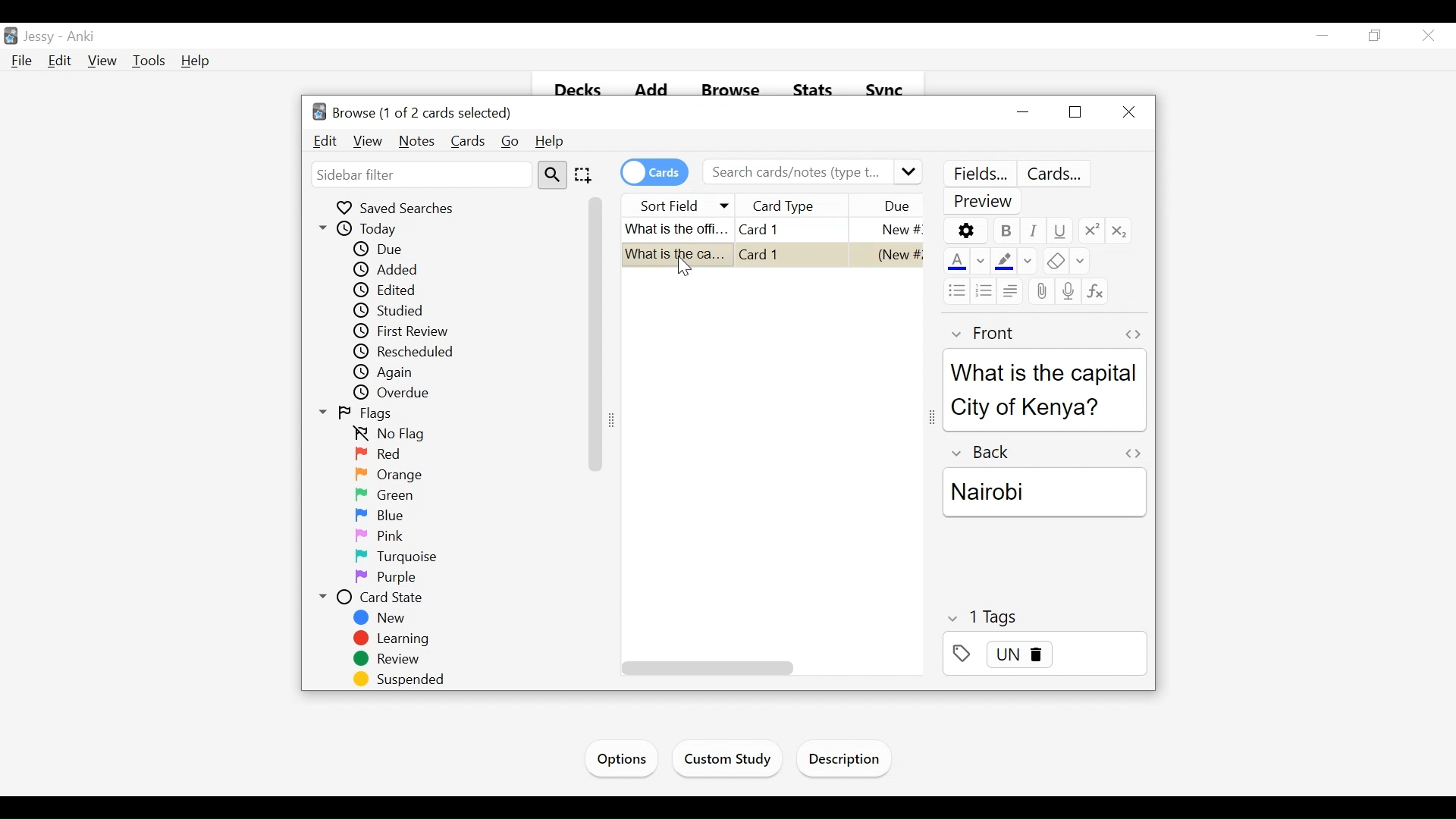  What do you see at coordinates (325, 141) in the screenshot?
I see `Edit` at bounding box center [325, 141].